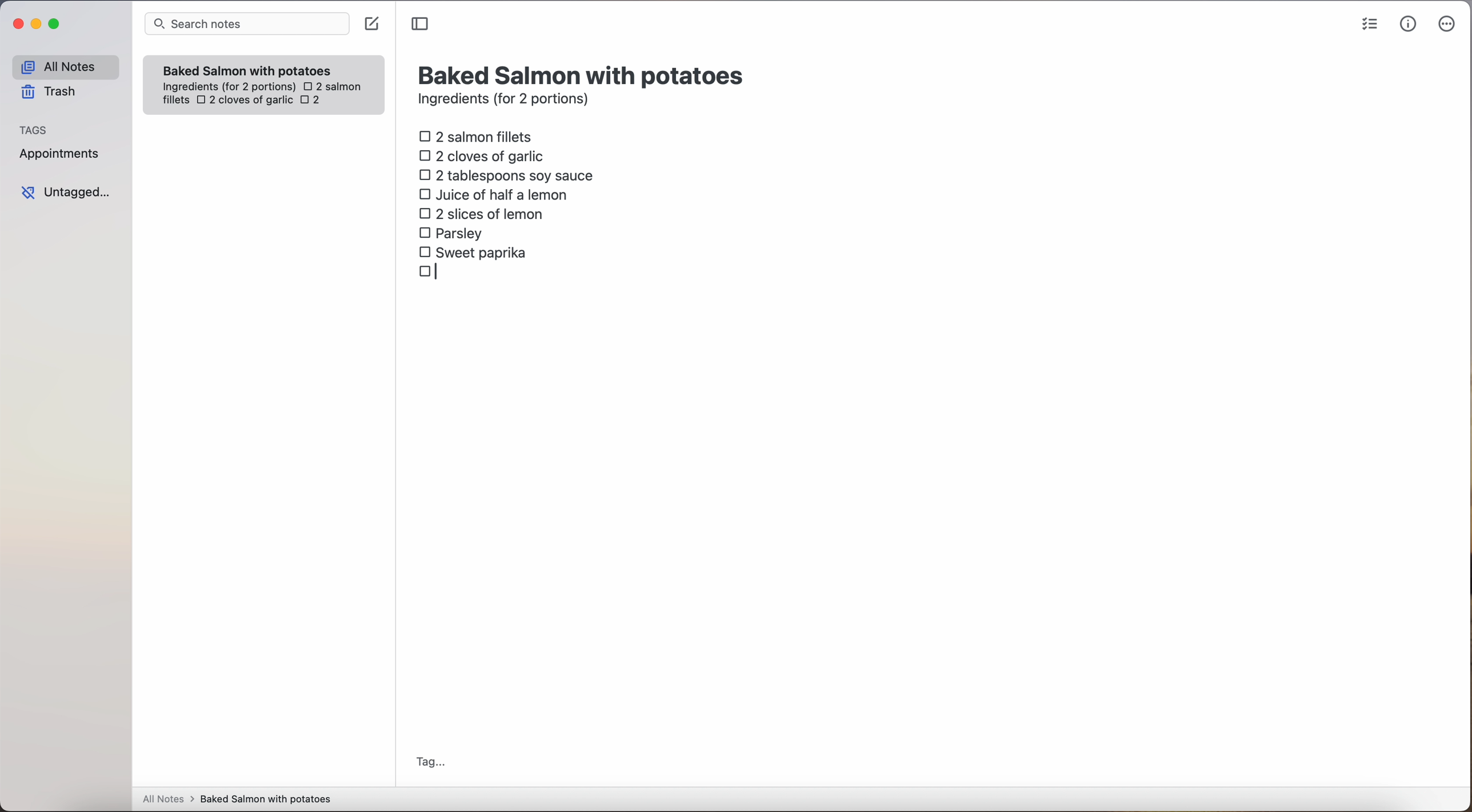  I want to click on ingredientes (for 2 portions), so click(227, 87).